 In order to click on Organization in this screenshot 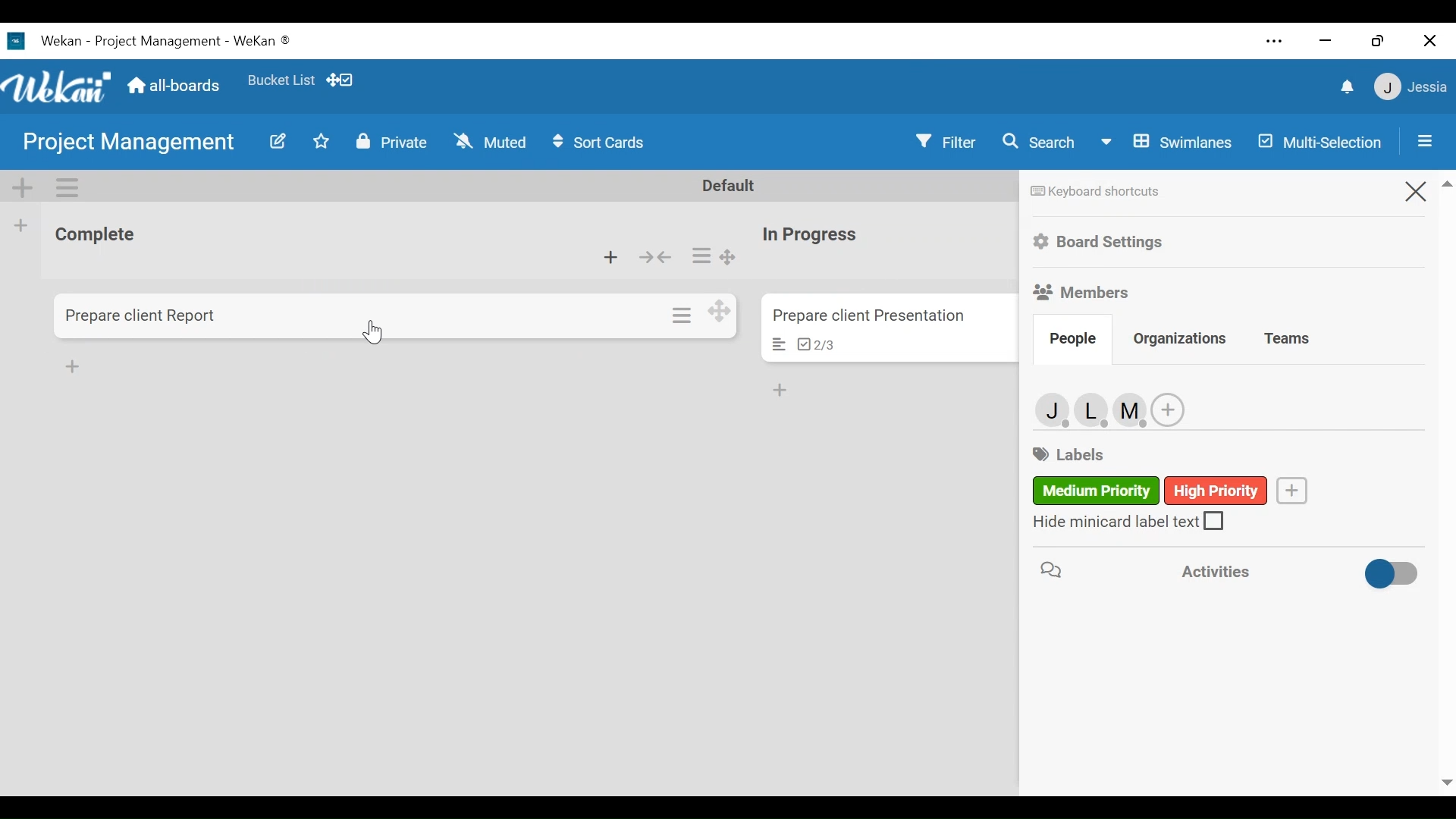, I will do `click(1179, 338)`.